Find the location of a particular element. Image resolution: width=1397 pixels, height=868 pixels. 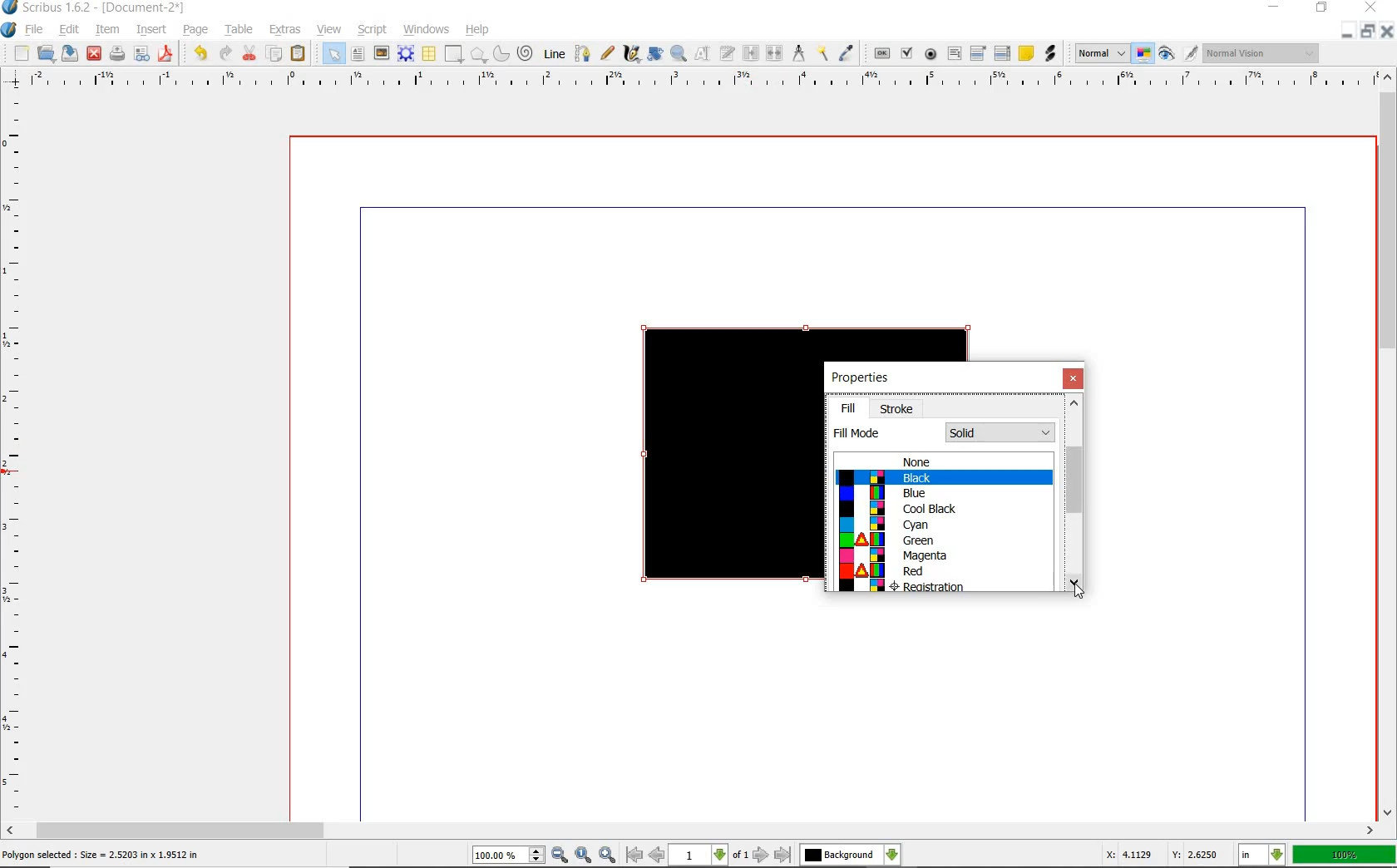

help is located at coordinates (479, 31).